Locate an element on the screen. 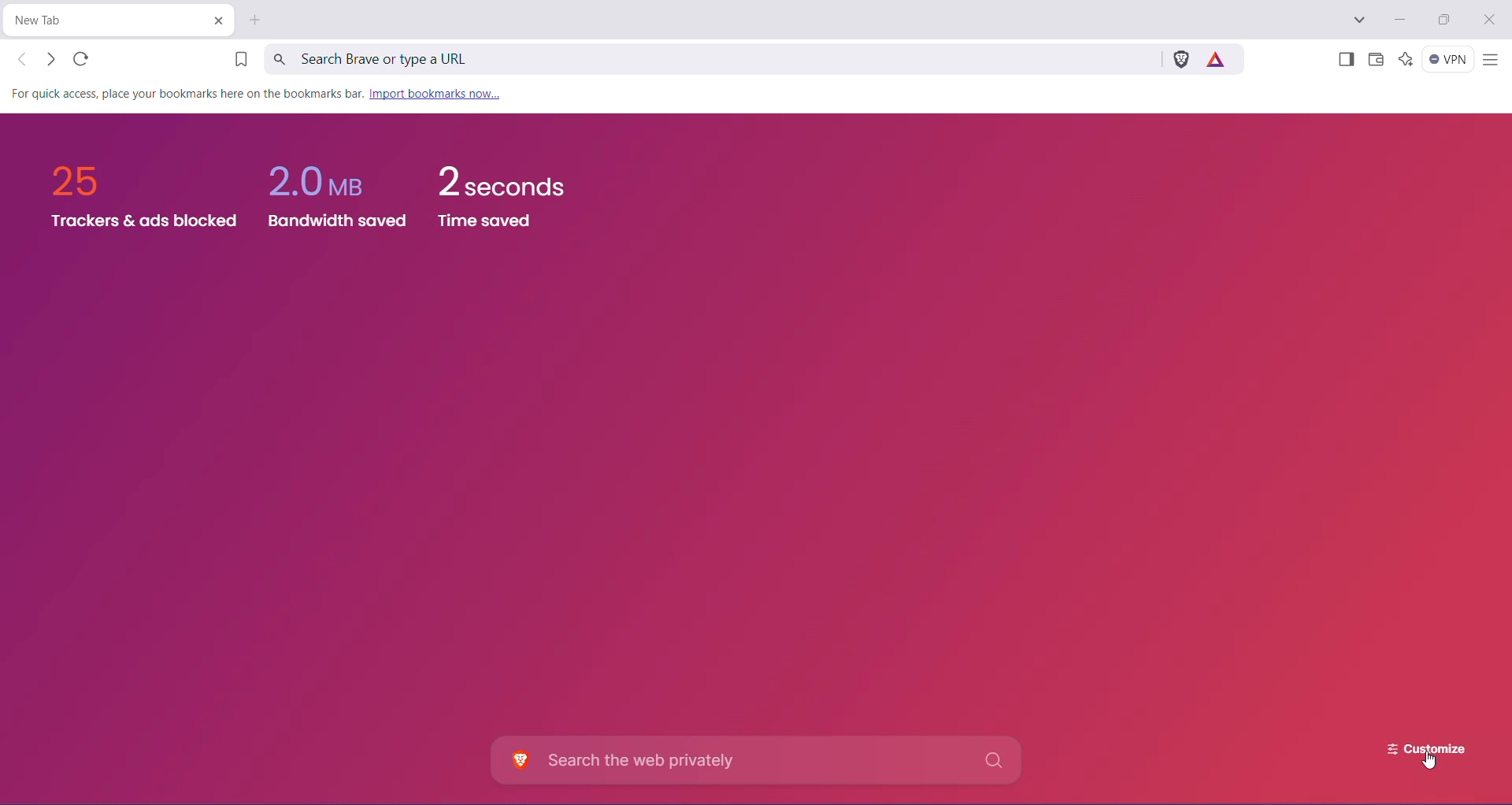 The width and height of the screenshot is (1512, 805). 2 seconds Time saved is located at coordinates (512, 201).